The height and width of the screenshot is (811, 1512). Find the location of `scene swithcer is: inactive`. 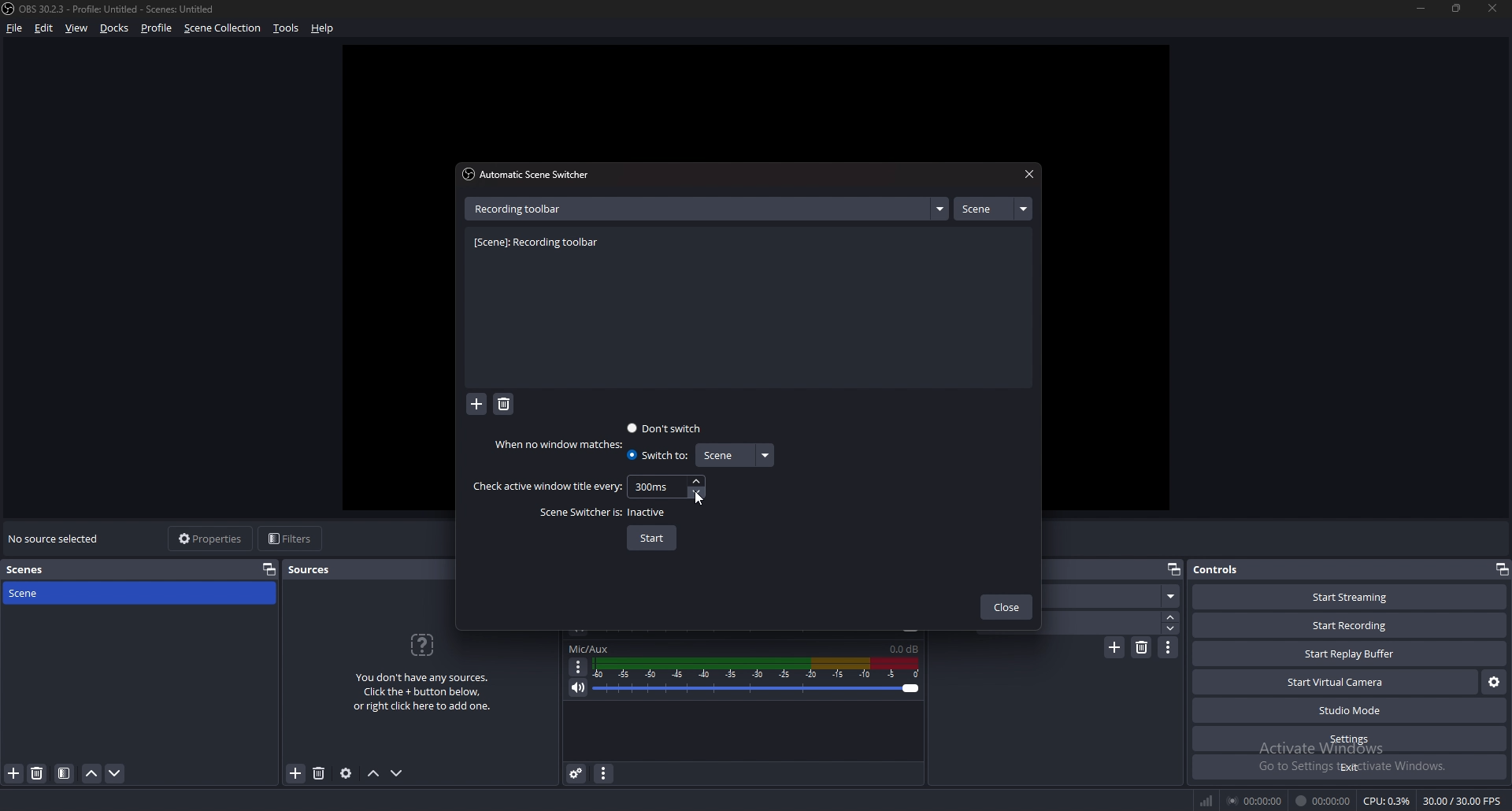

scene swithcer is: inactive is located at coordinates (605, 513).